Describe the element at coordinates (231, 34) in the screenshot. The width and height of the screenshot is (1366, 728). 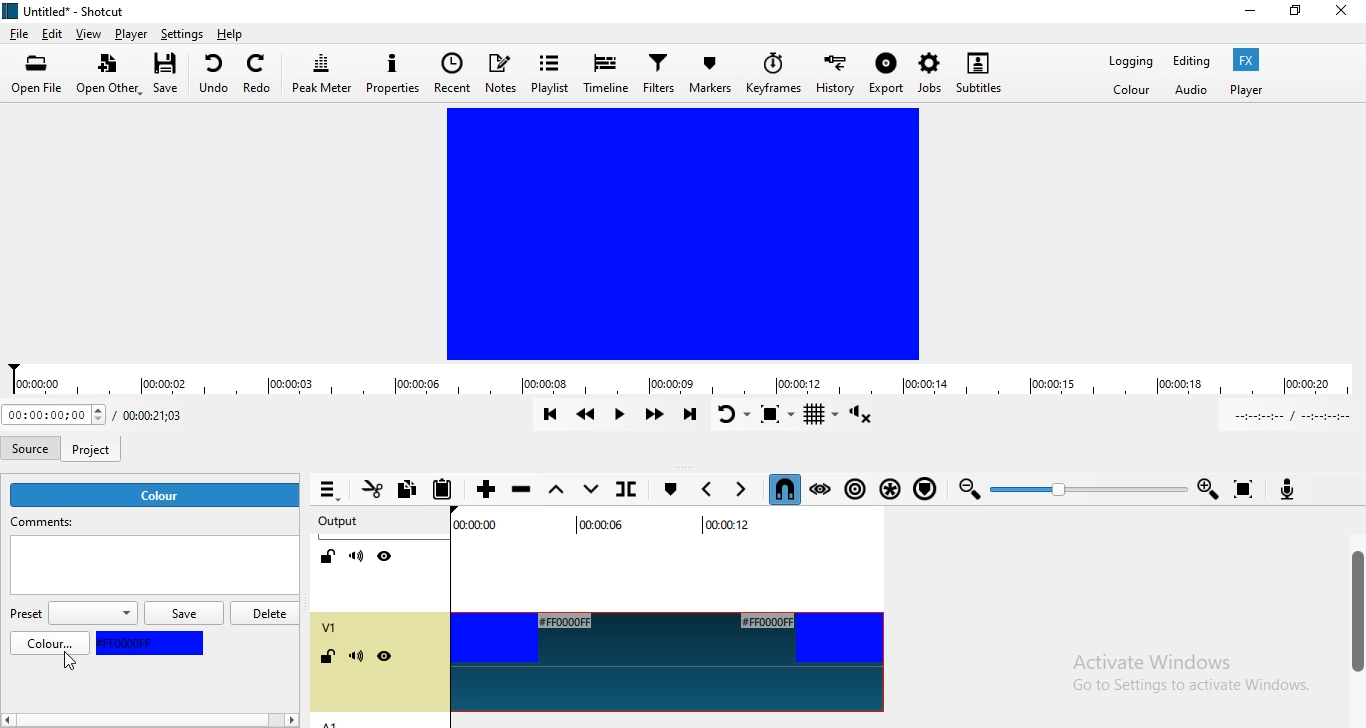
I see `help` at that location.